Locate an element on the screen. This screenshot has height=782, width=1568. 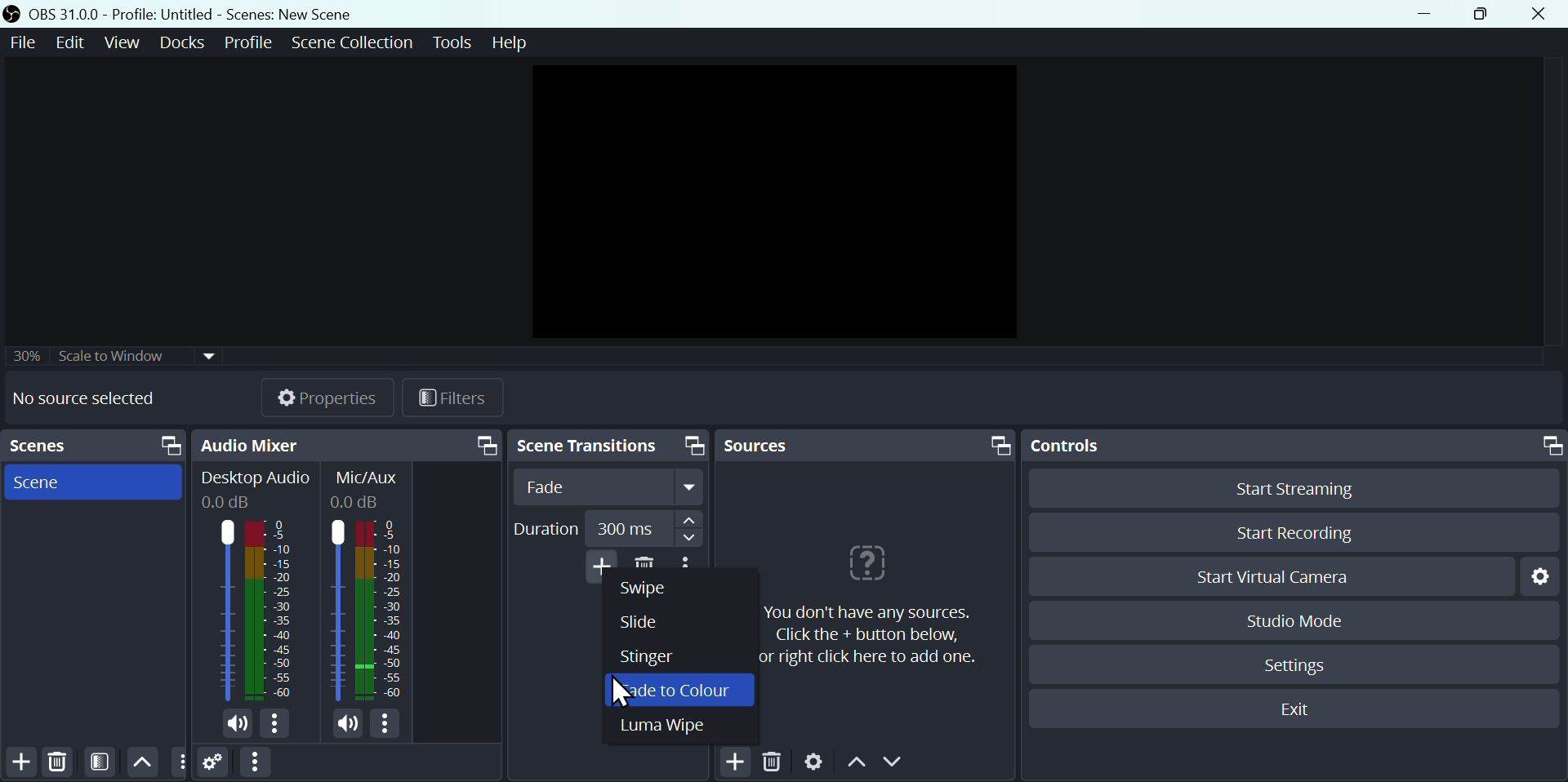
 is located at coordinates (351, 41).